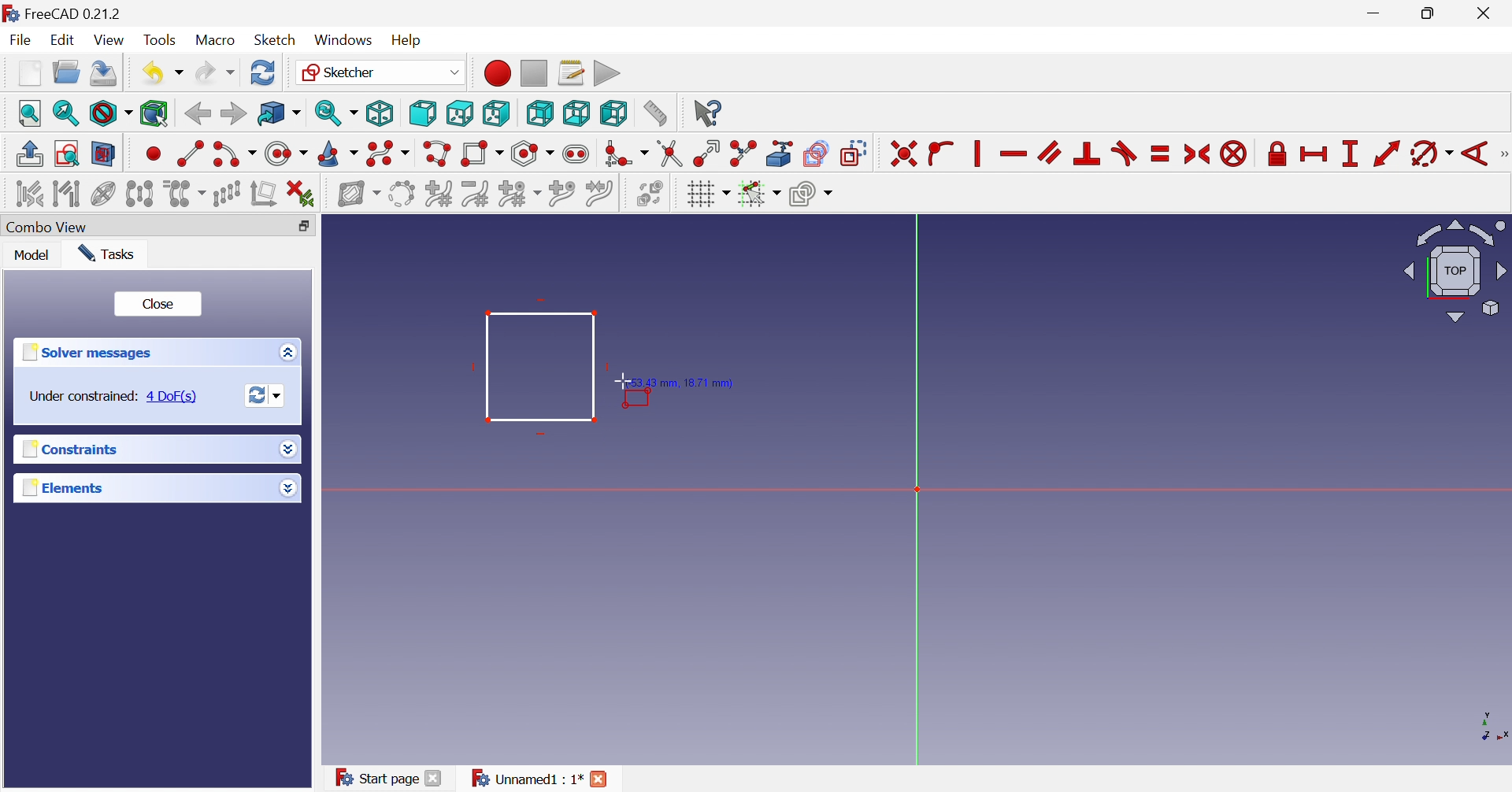 The height and width of the screenshot is (792, 1512). What do you see at coordinates (1013, 154) in the screenshot?
I see `Constrain horizontally` at bounding box center [1013, 154].